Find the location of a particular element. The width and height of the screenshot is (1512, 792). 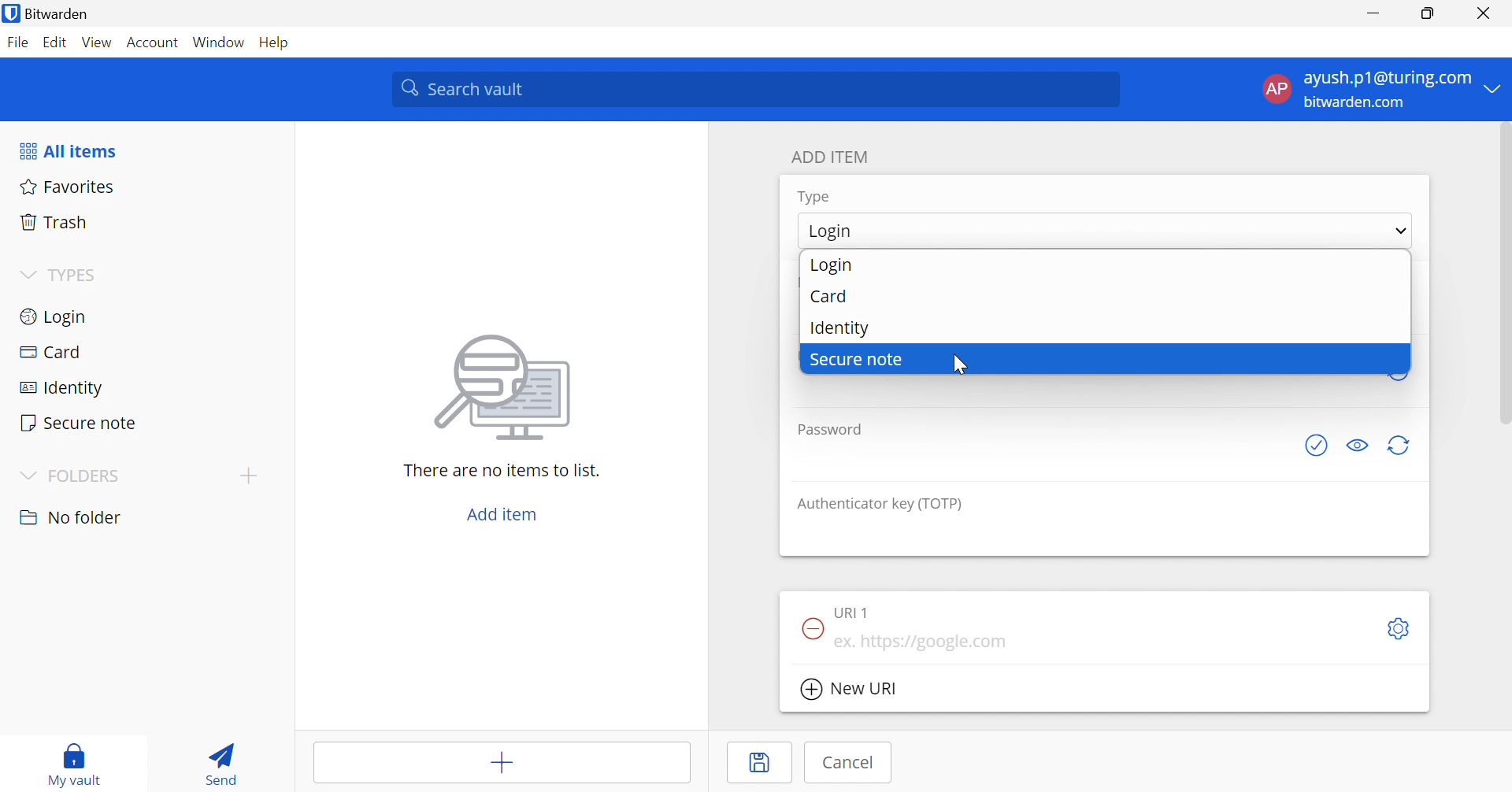

My vault is located at coordinates (76, 764).